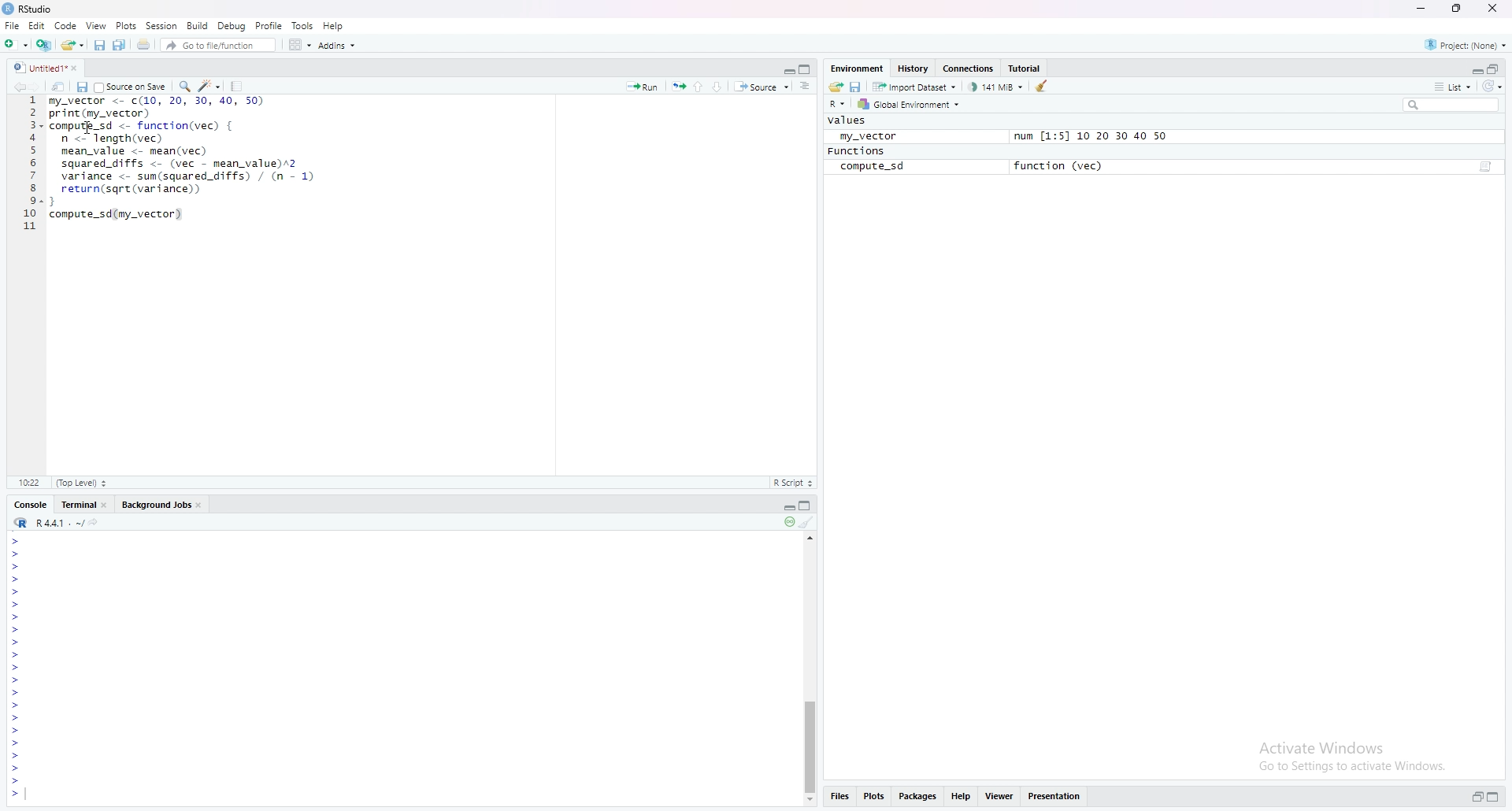 The height and width of the screenshot is (811, 1512). I want to click on Plots, so click(873, 794).